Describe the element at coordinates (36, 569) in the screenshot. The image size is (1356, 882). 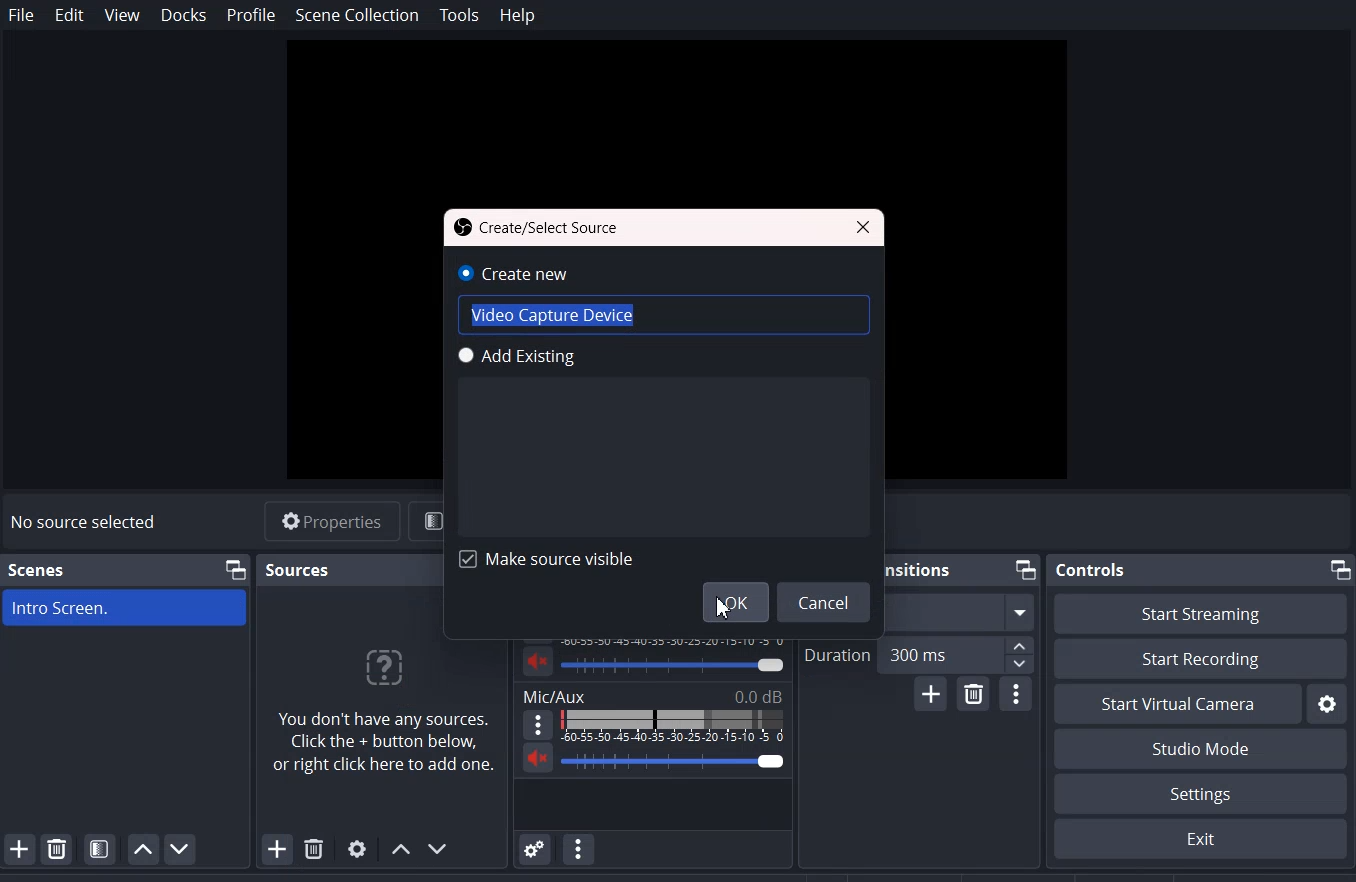
I see `Scene` at that location.